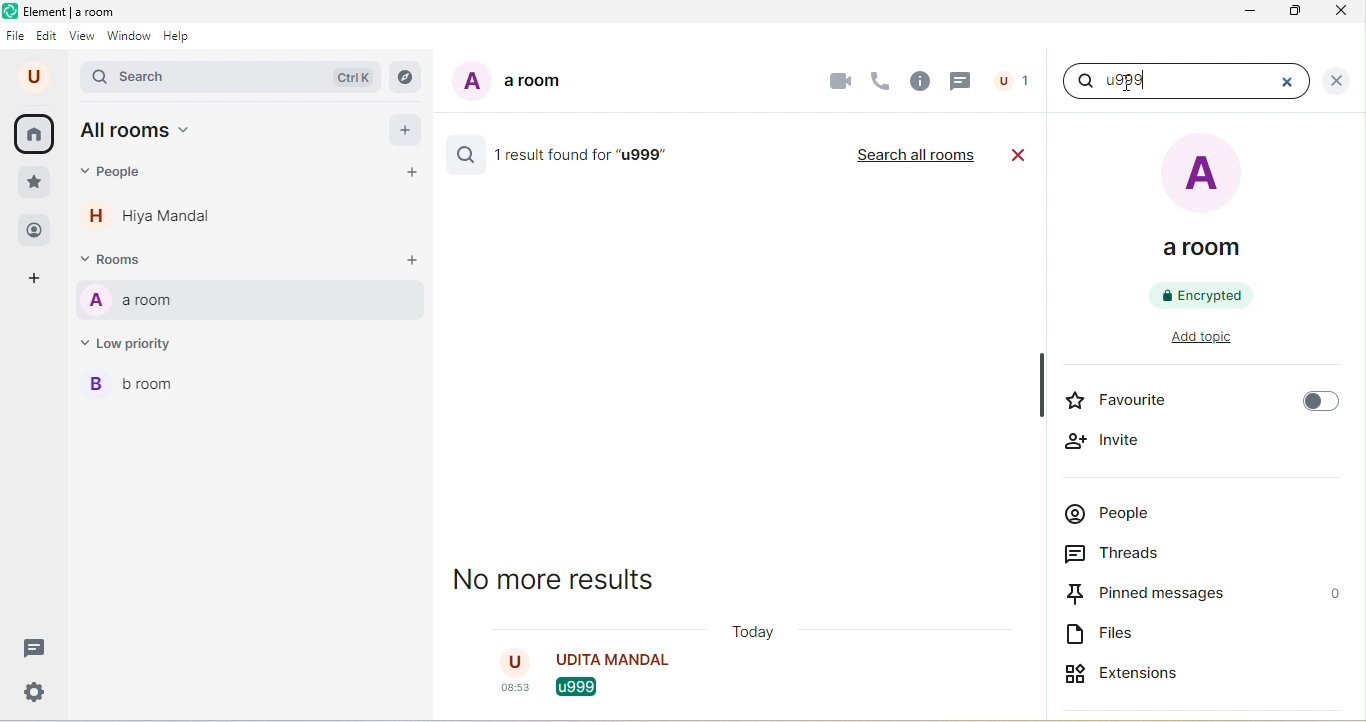 The image size is (1366, 722). Describe the element at coordinates (42, 280) in the screenshot. I see `create a space` at that location.